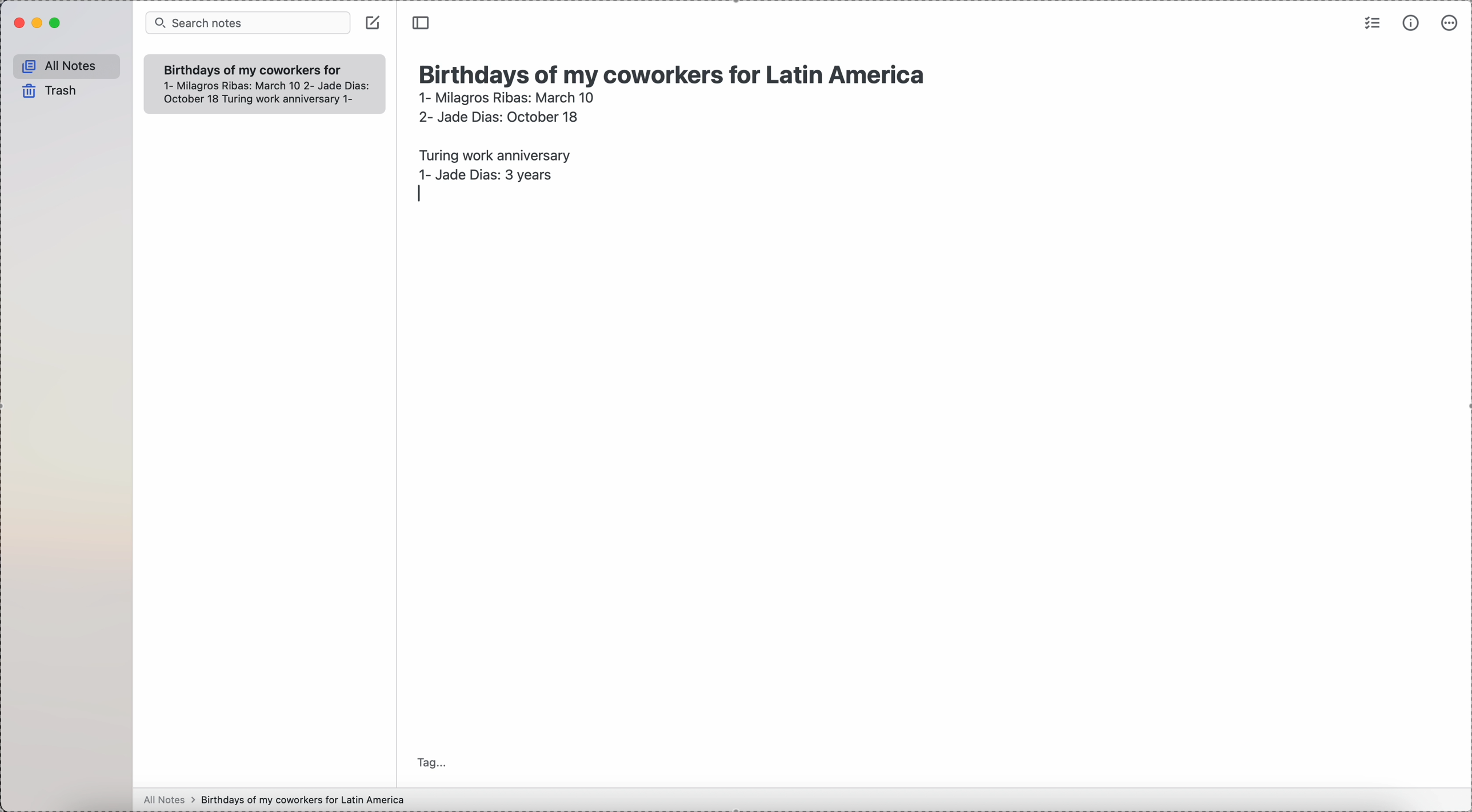 Image resolution: width=1472 pixels, height=812 pixels. I want to click on 1- Jade Dias: 3 years, so click(485, 173).